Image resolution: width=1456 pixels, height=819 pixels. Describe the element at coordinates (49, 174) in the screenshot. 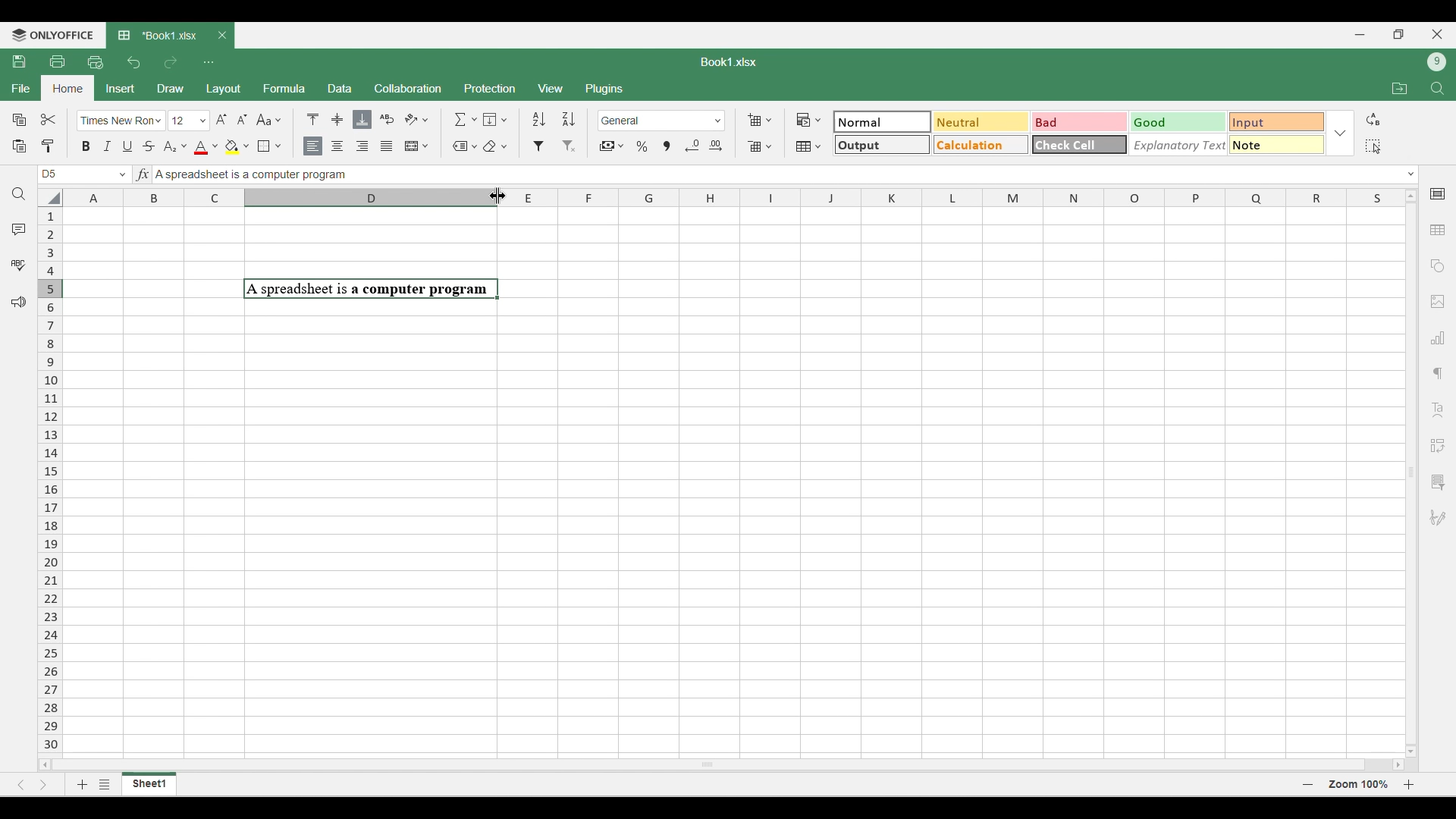

I see `Selected cell` at that location.